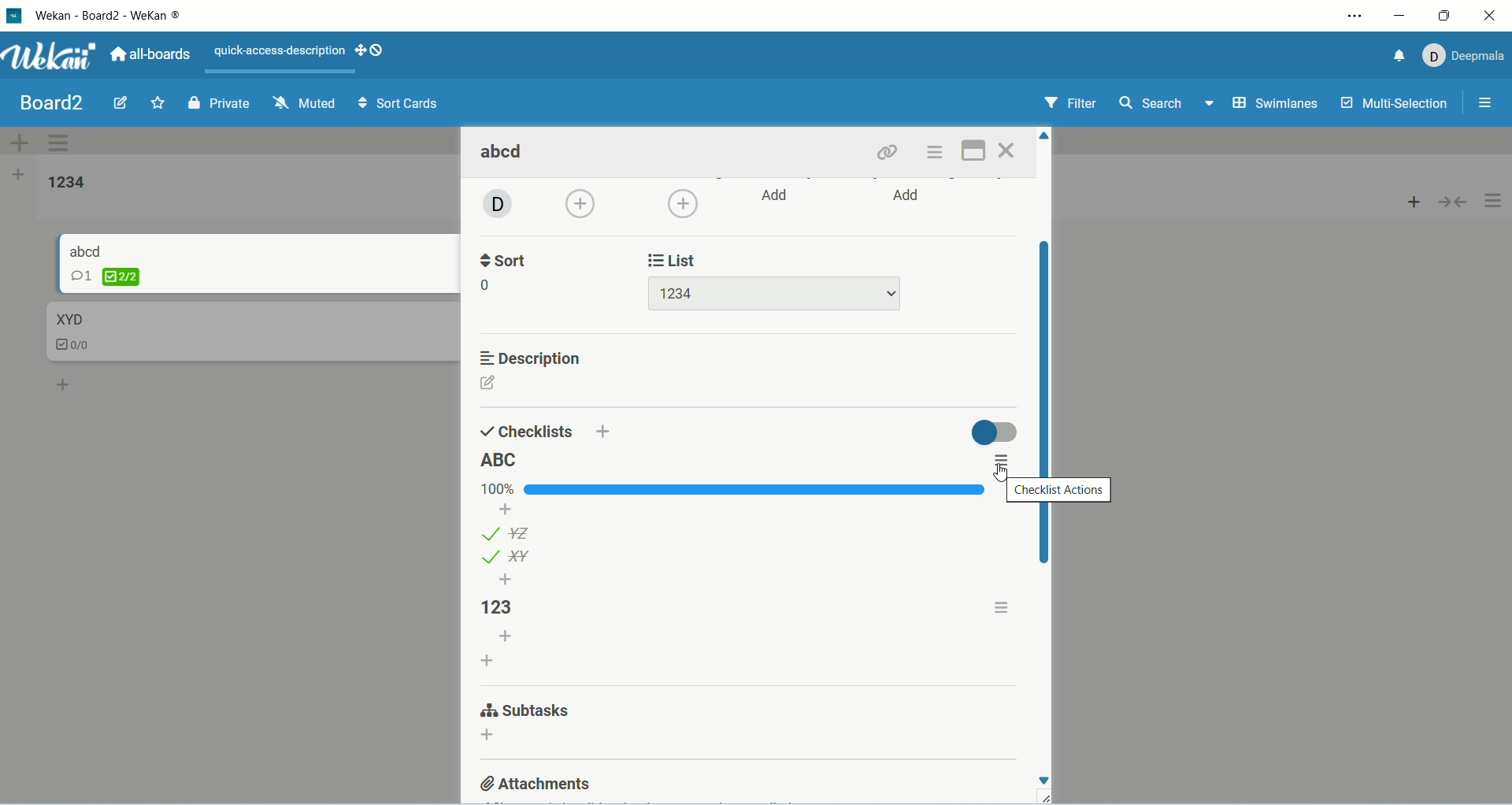 The width and height of the screenshot is (1512, 805). What do you see at coordinates (506, 557) in the screenshot?
I see `list` at bounding box center [506, 557].